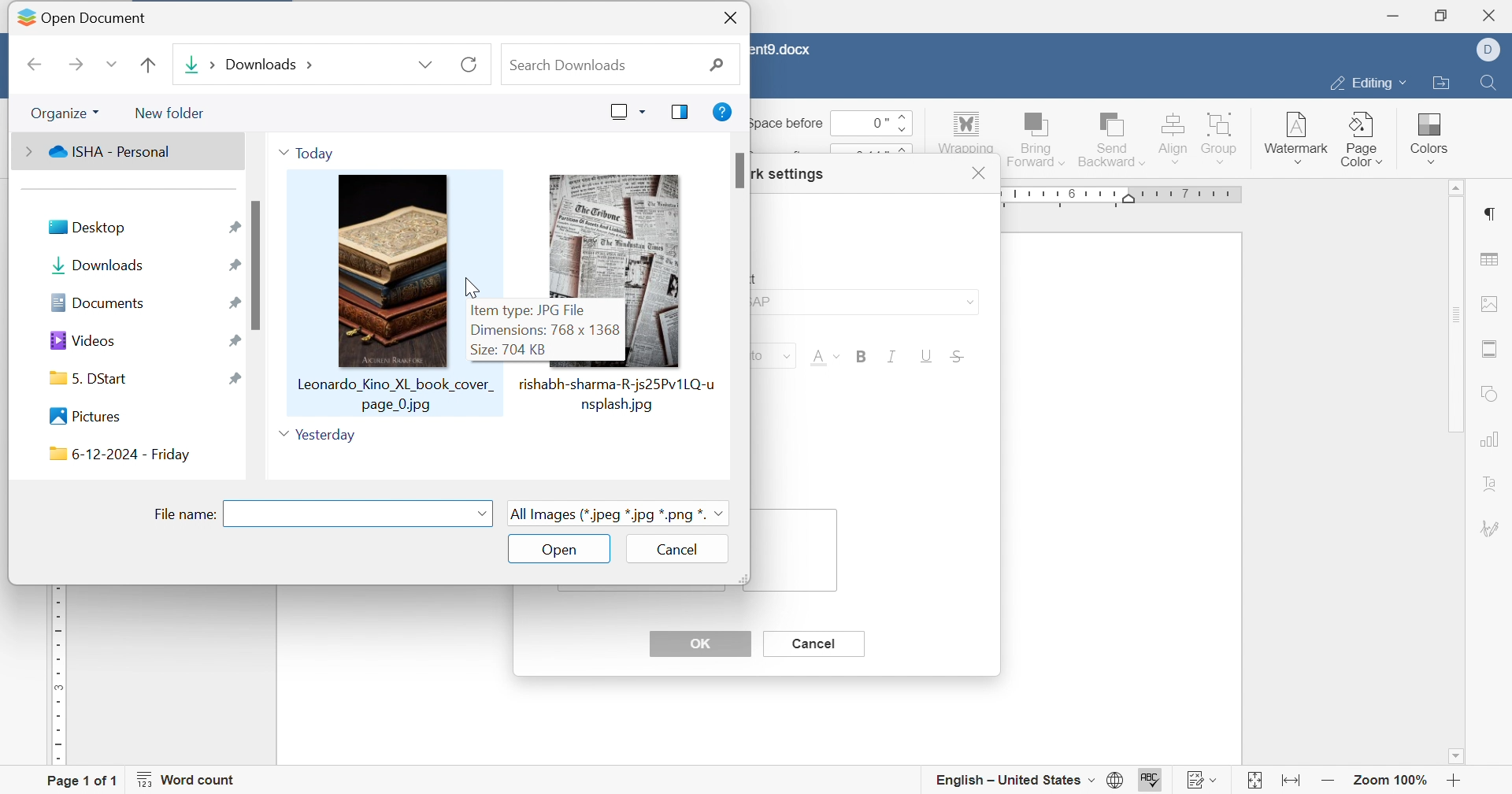 The image size is (1512, 794). Describe the element at coordinates (1329, 781) in the screenshot. I see `zoom out` at that location.